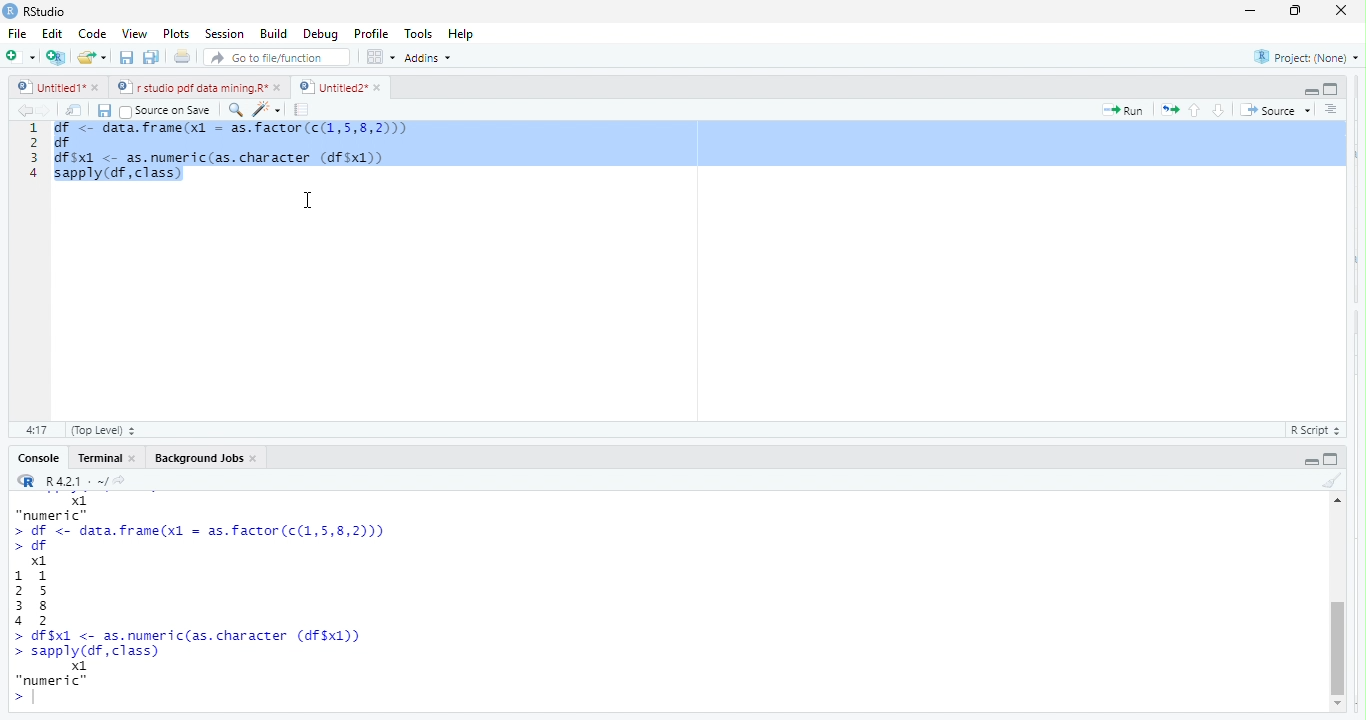  Describe the element at coordinates (1312, 430) in the screenshot. I see `RScript ` at that location.